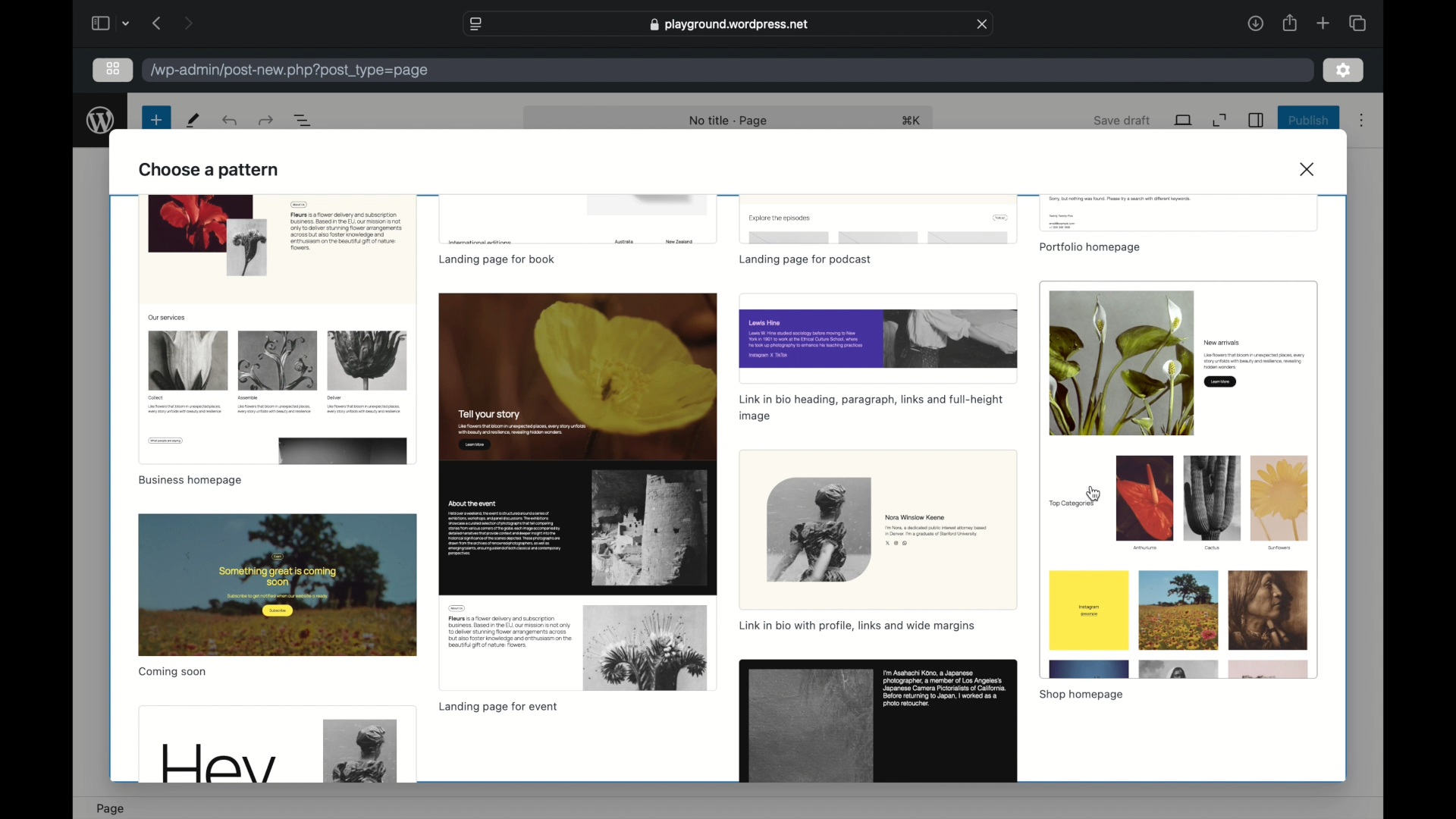 The height and width of the screenshot is (819, 1456). I want to click on template name, so click(174, 673).